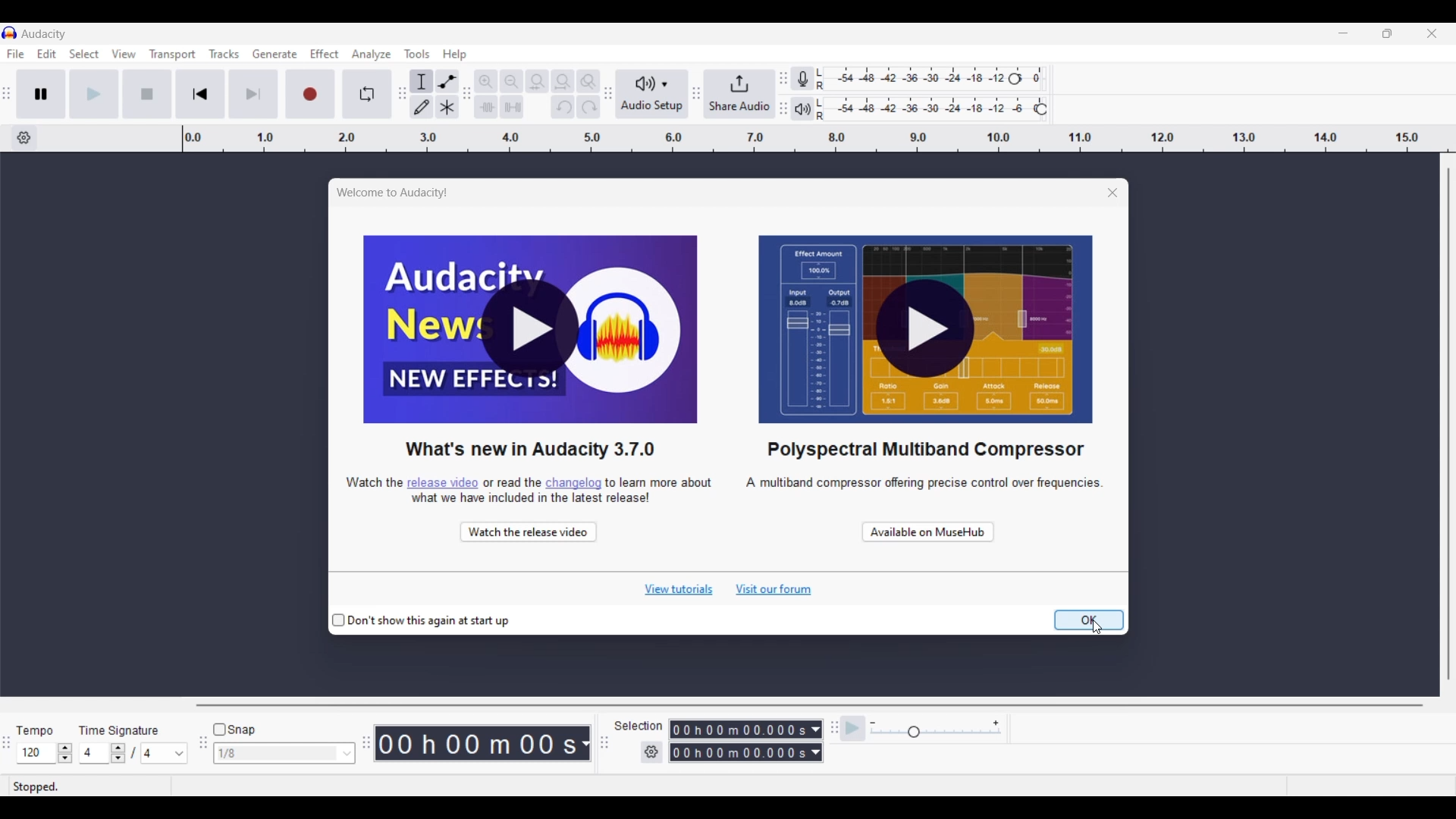  What do you see at coordinates (1092, 190) in the screenshot?
I see `Close welcome window` at bounding box center [1092, 190].